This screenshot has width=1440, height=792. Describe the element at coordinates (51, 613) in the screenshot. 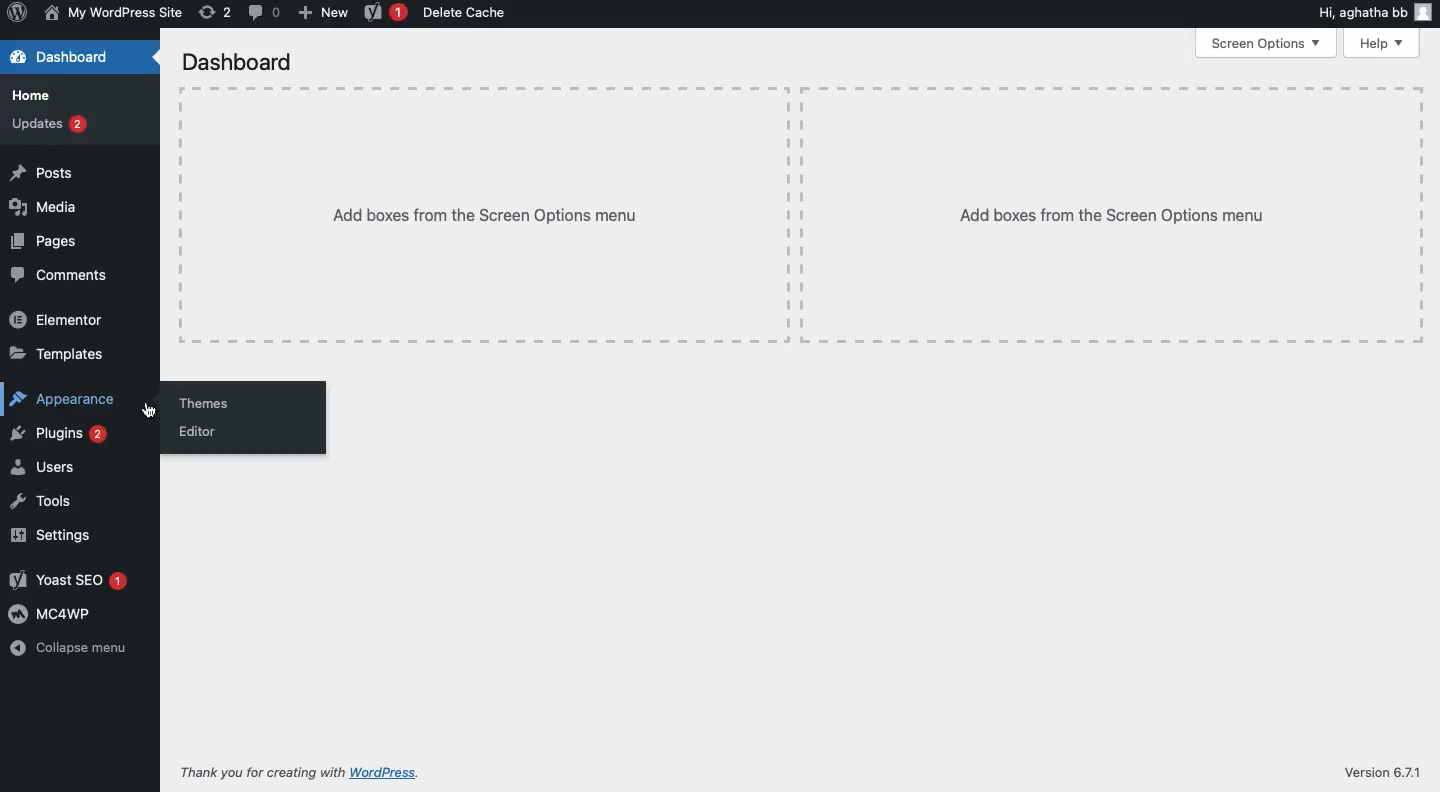

I see `MC4WP` at that location.